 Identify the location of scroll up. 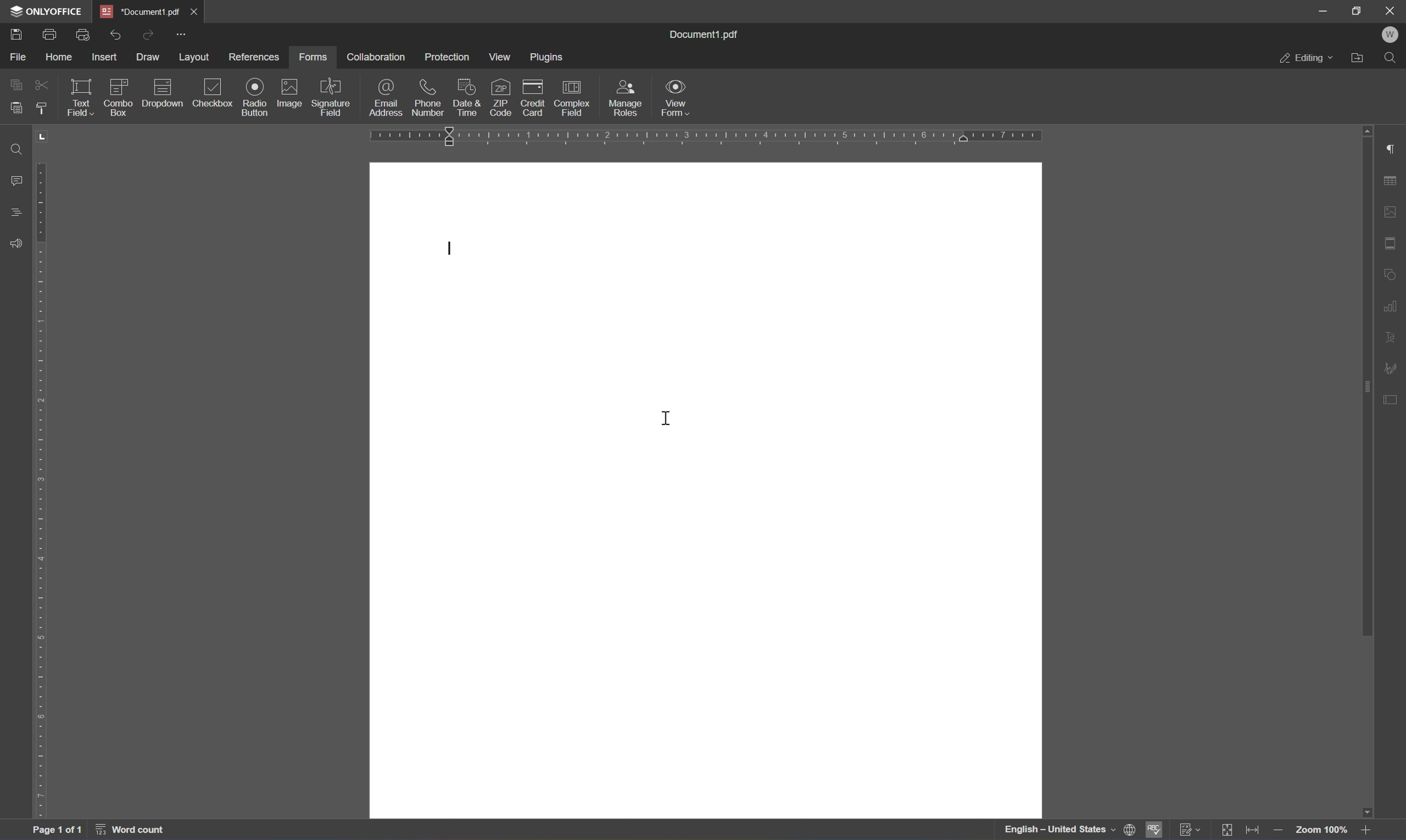
(1367, 128).